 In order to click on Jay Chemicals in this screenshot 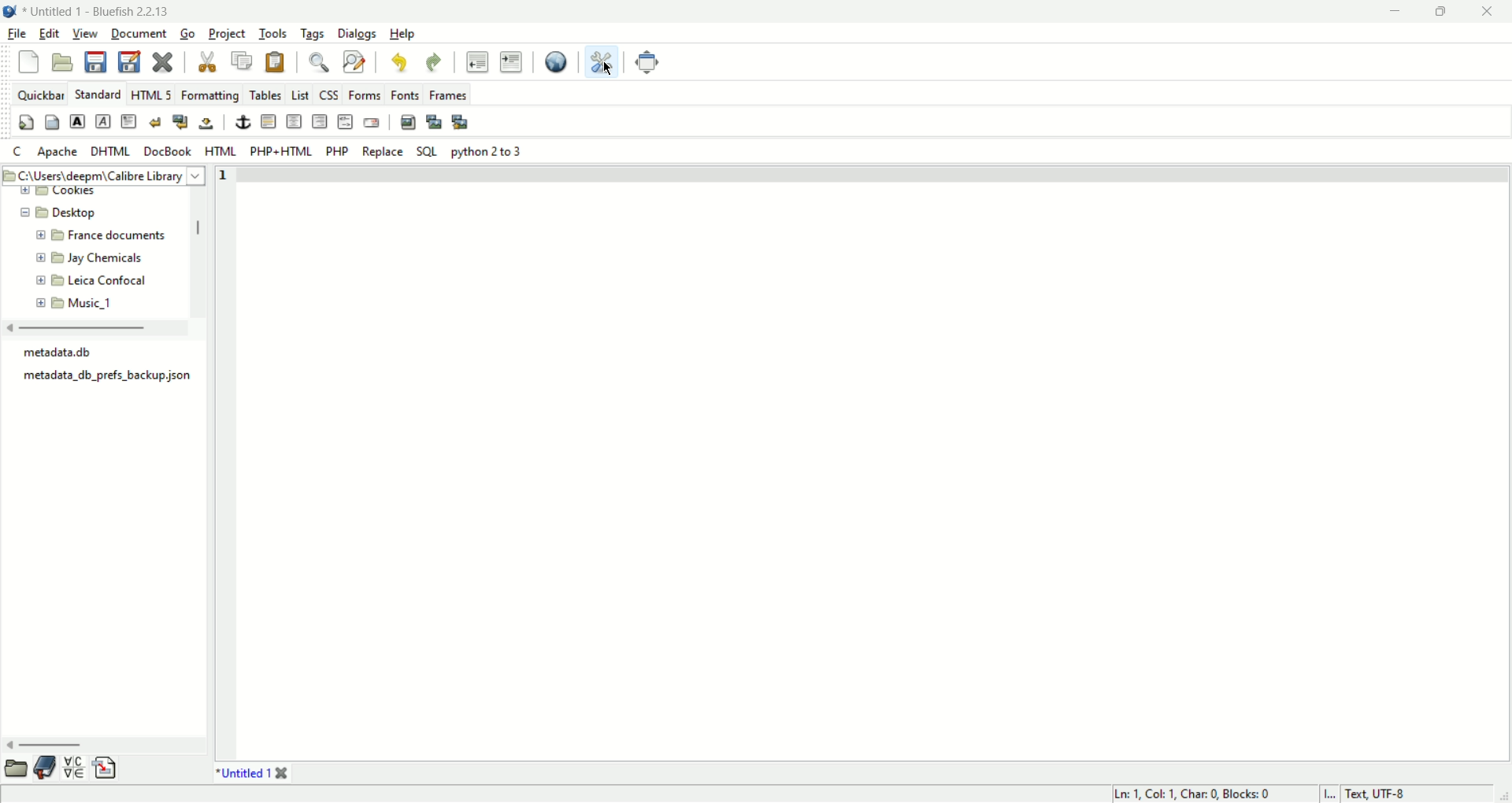, I will do `click(109, 261)`.